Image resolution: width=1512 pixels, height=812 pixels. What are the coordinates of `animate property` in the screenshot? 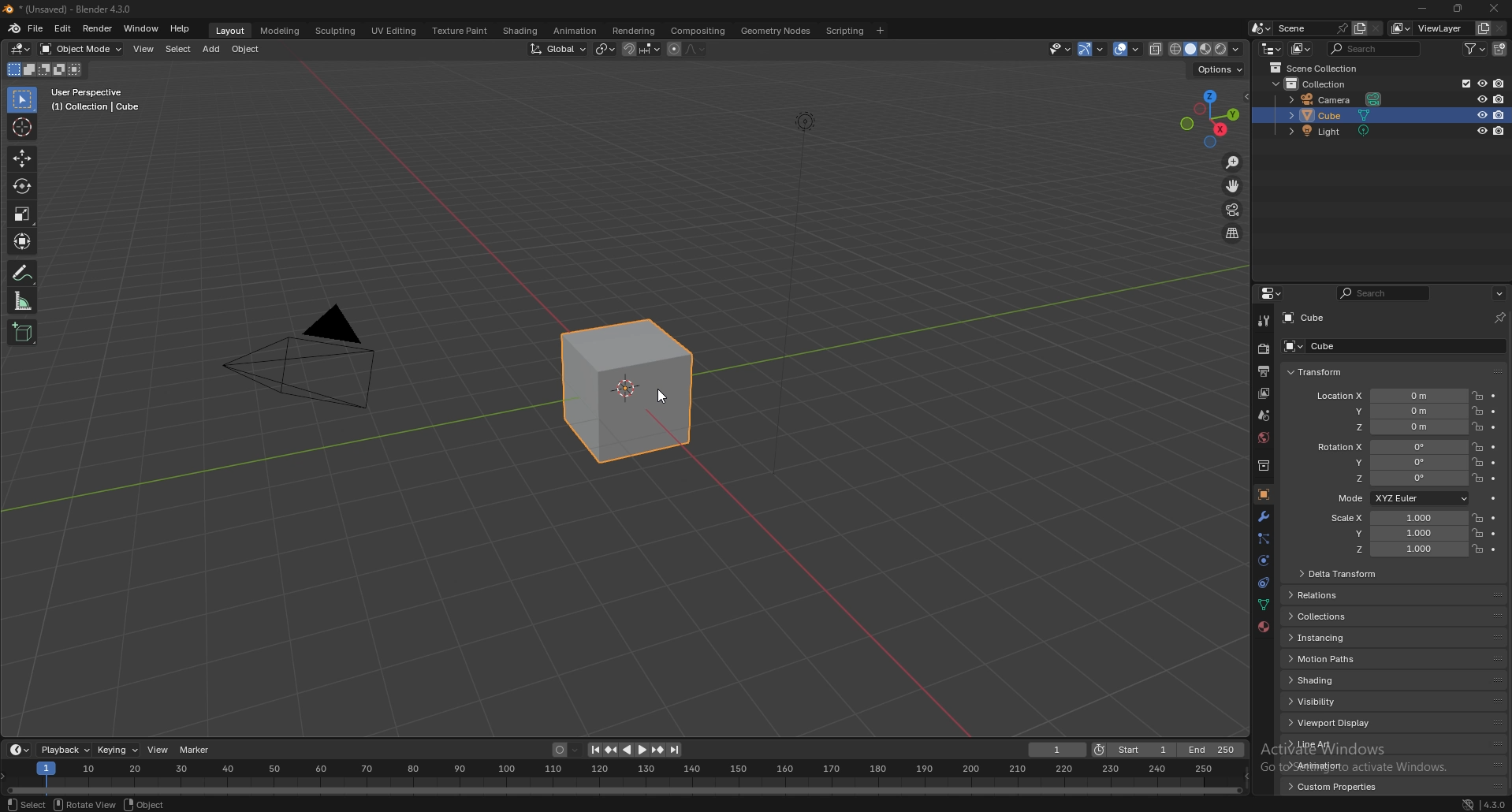 It's located at (1495, 396).